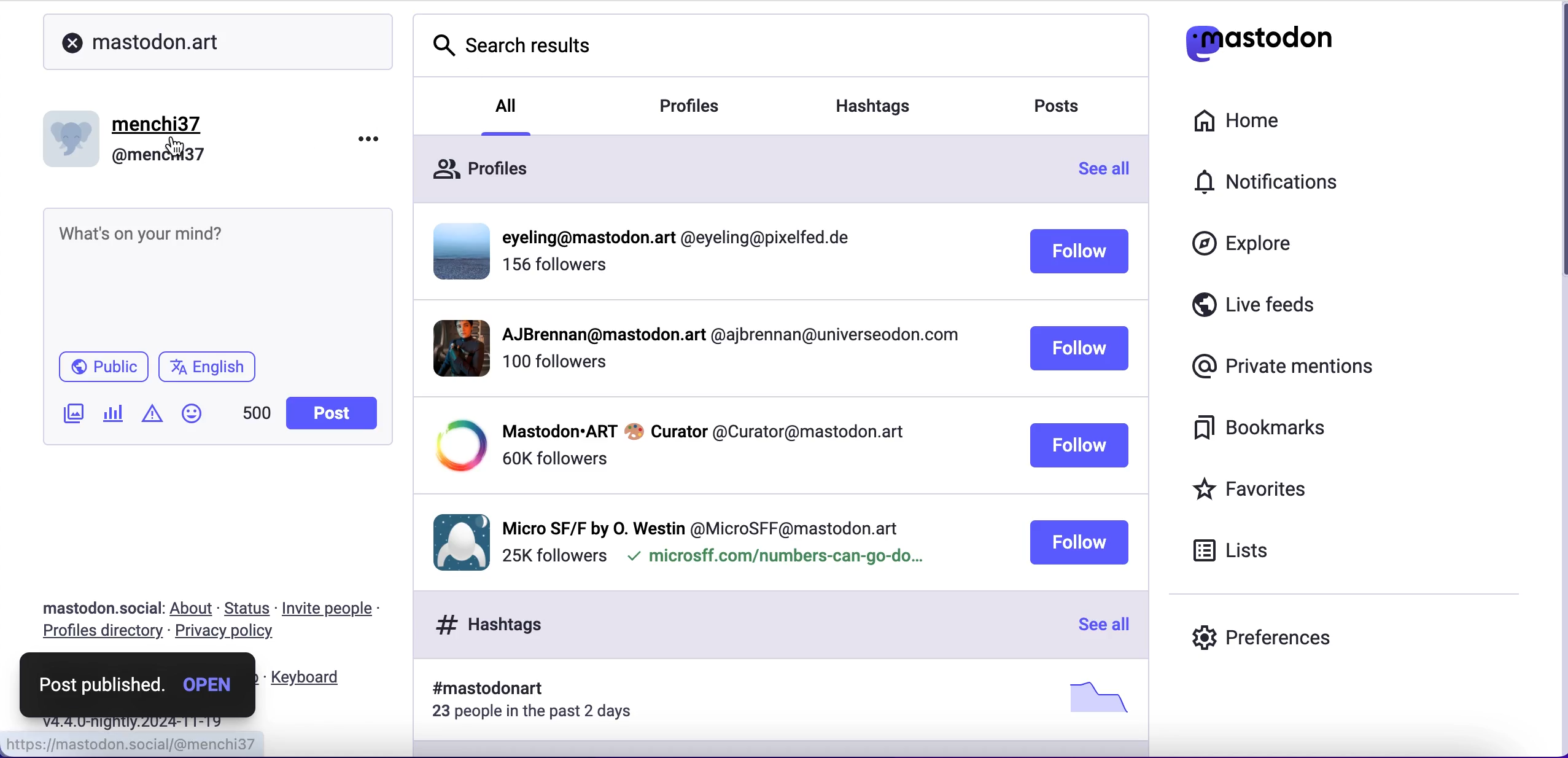 The image size is (1568, 758). I want to click on mastodon logo, so click(1260, 38).